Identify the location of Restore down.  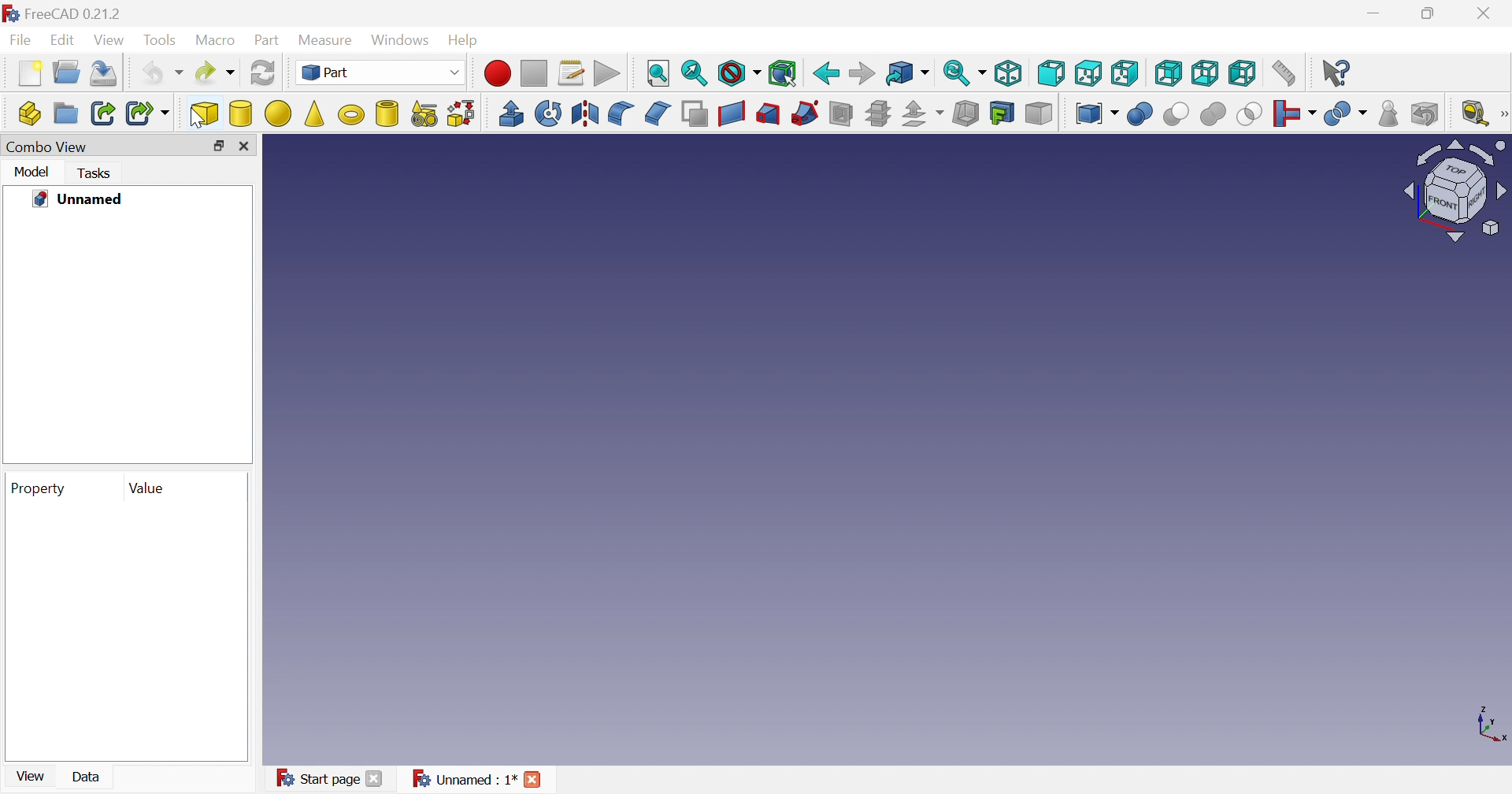
(1426, 13).